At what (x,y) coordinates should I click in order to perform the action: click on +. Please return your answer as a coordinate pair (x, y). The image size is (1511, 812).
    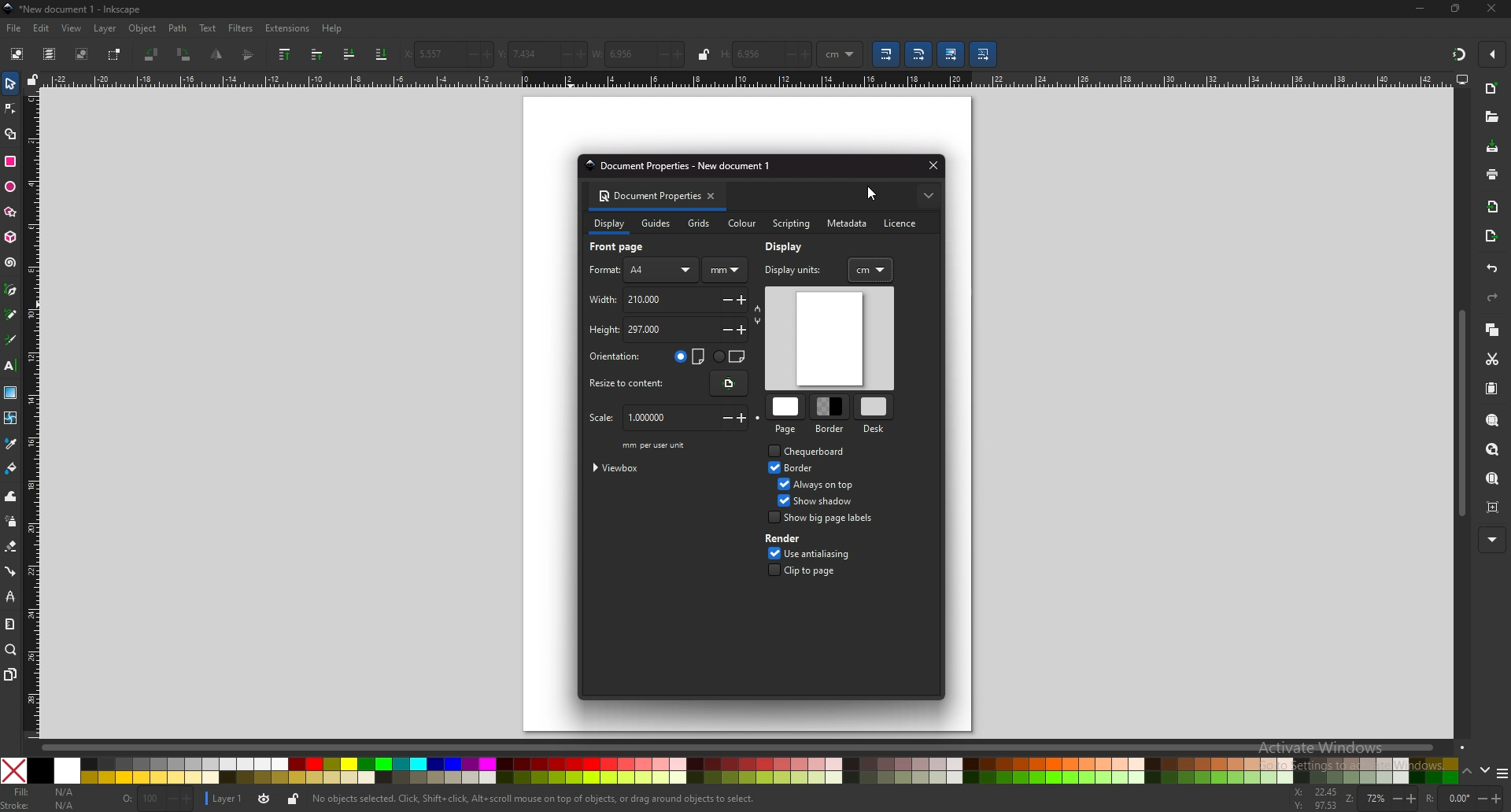
    Looking at the image, I should click on (745, 418).